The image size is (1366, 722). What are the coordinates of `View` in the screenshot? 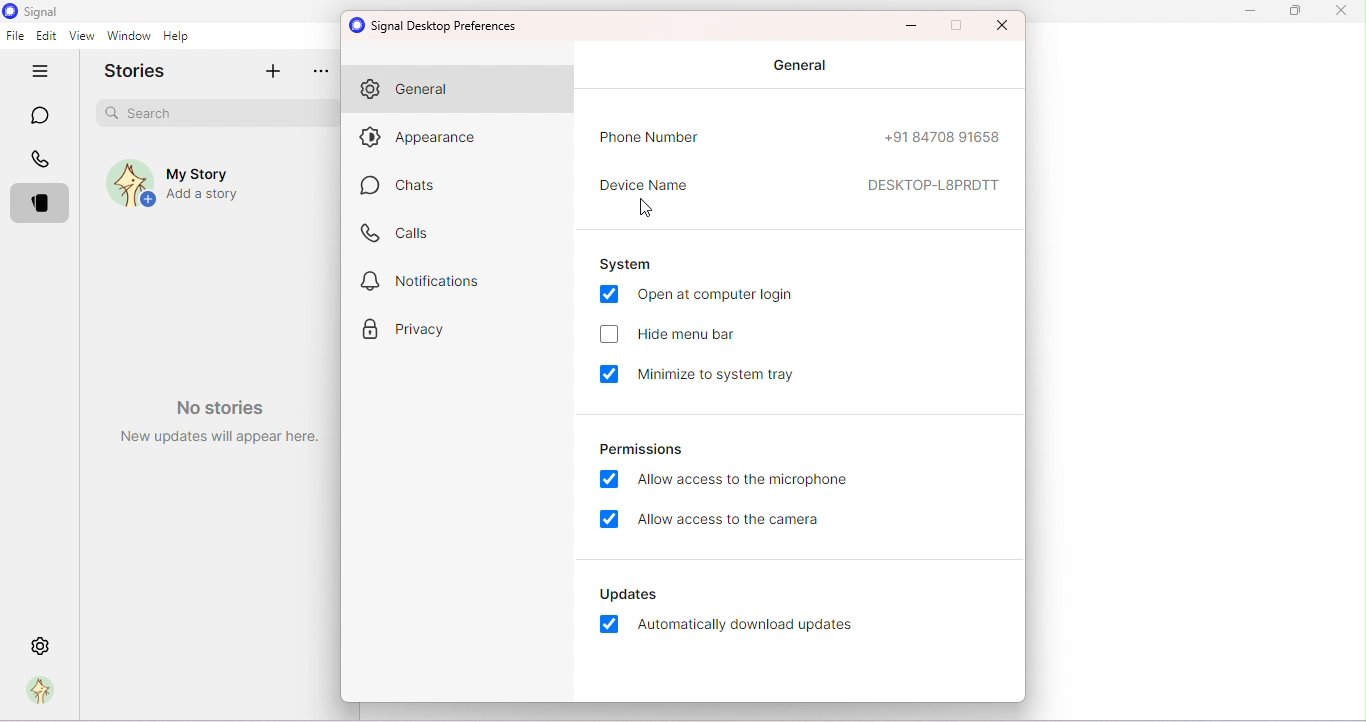 It's located at (83, 38).